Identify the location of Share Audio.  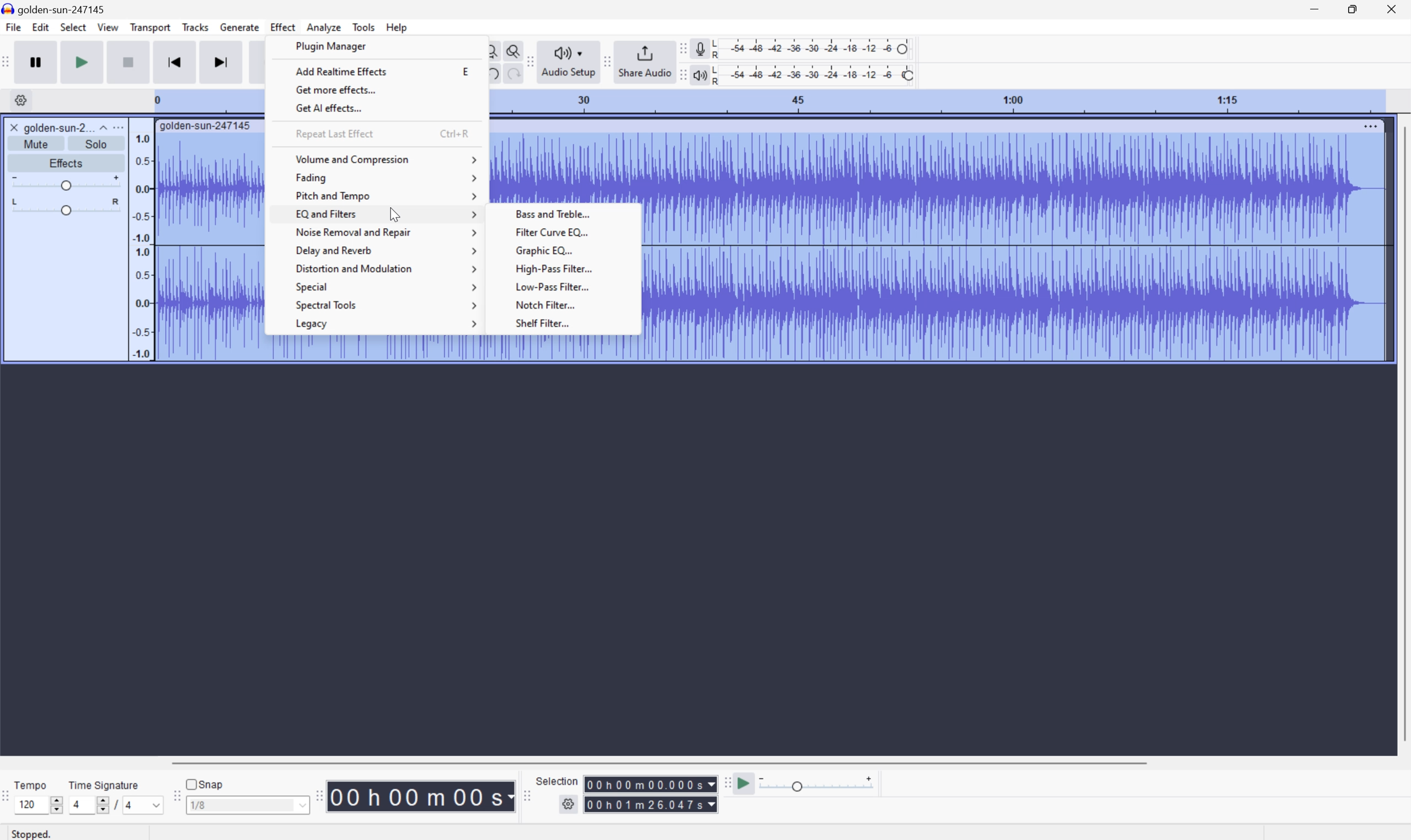
(644, 61).